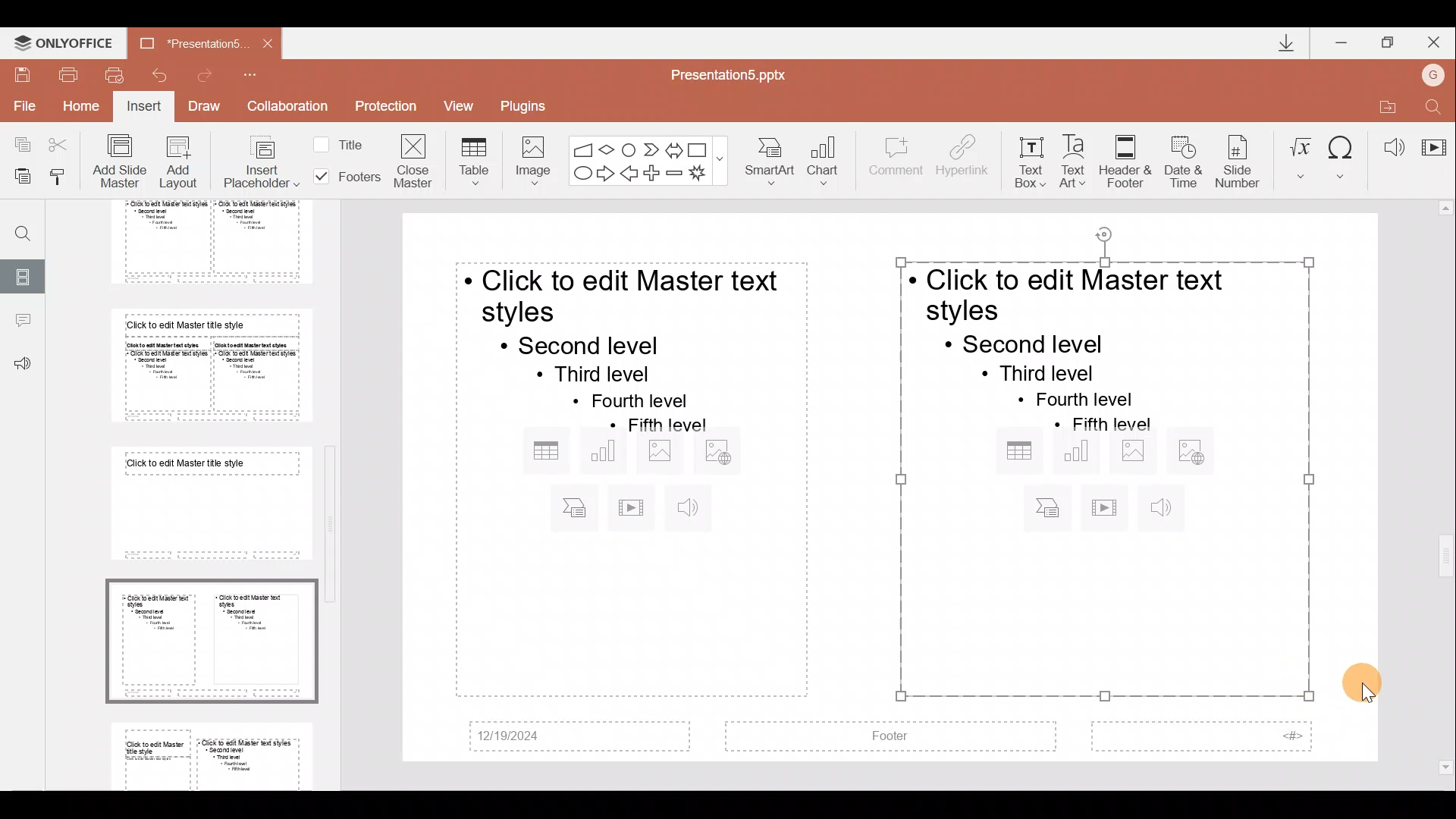 The width and height of the screenshot is (1456, 819). Describe the element at coordinates (1366, 676) in the screenshot. I see `Cursor` at that location.